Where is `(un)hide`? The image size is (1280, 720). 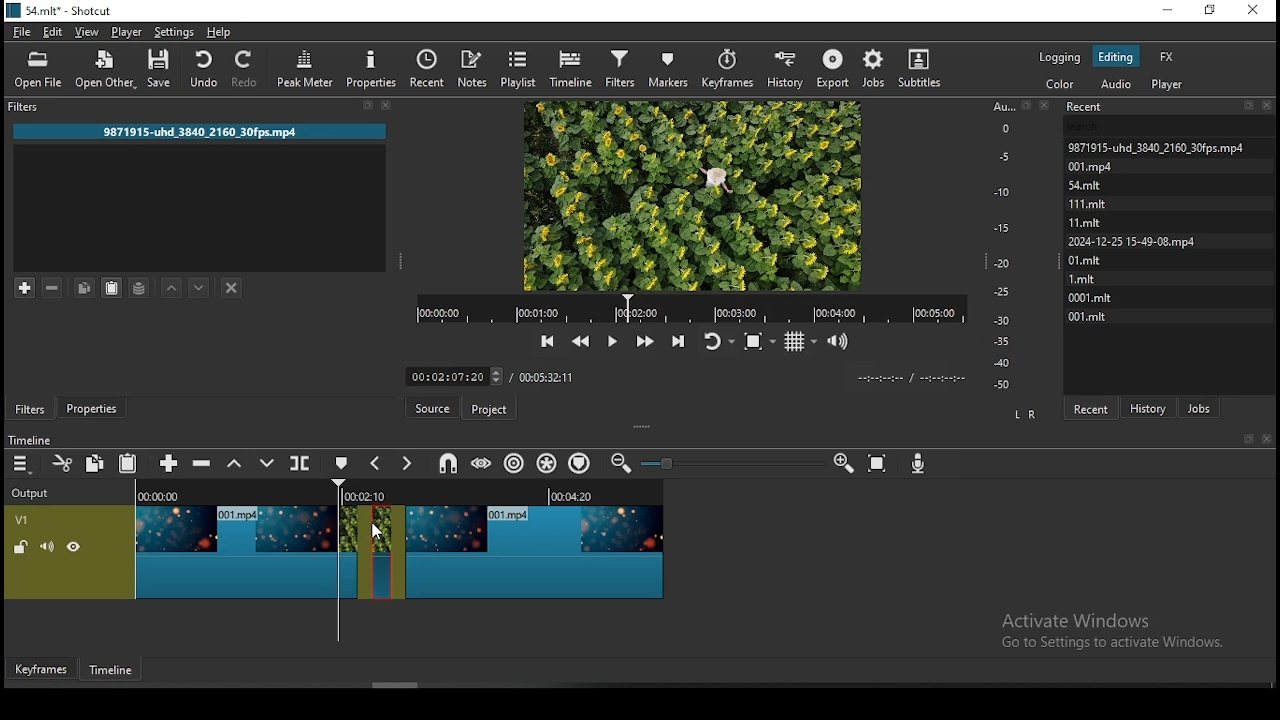 (un)hide is located at coordinates (75, 547).